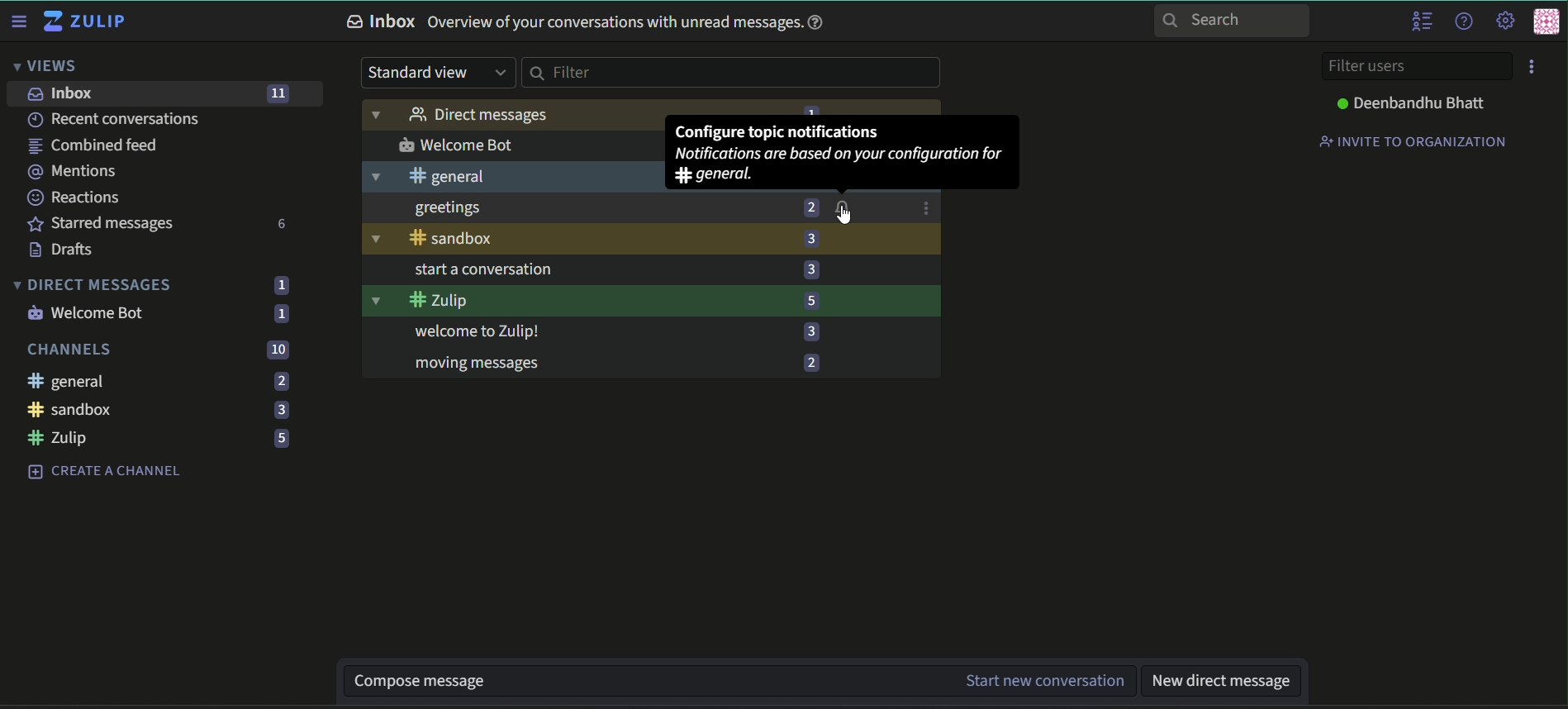 The width and height of the screenshot is (1568, 709). What do you see at coordinates (280, 286) in the screenshot?
I see `numbers` at bounding box center [280, 286].